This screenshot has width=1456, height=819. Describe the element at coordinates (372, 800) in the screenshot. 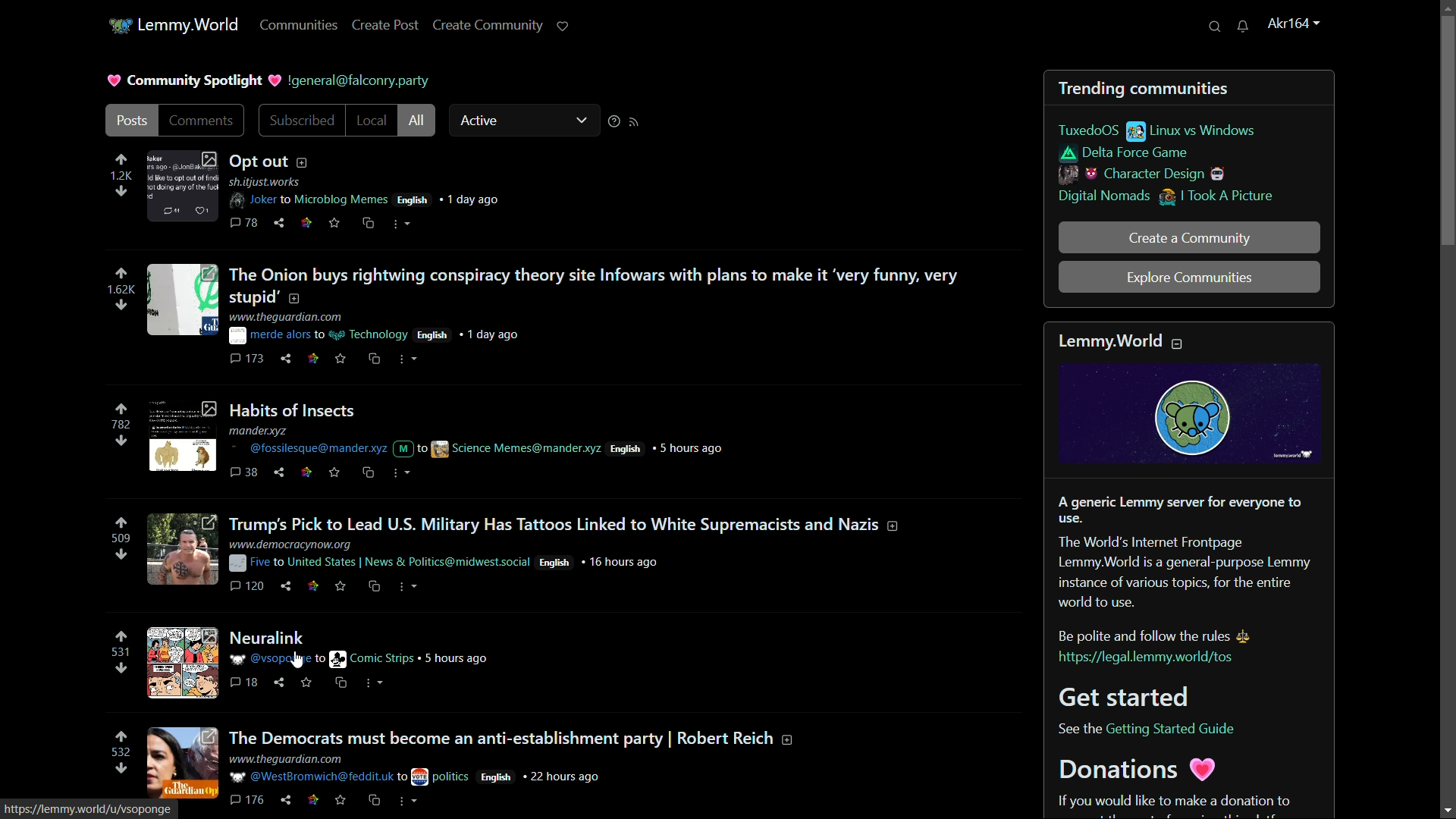

I see `cs` at that location.